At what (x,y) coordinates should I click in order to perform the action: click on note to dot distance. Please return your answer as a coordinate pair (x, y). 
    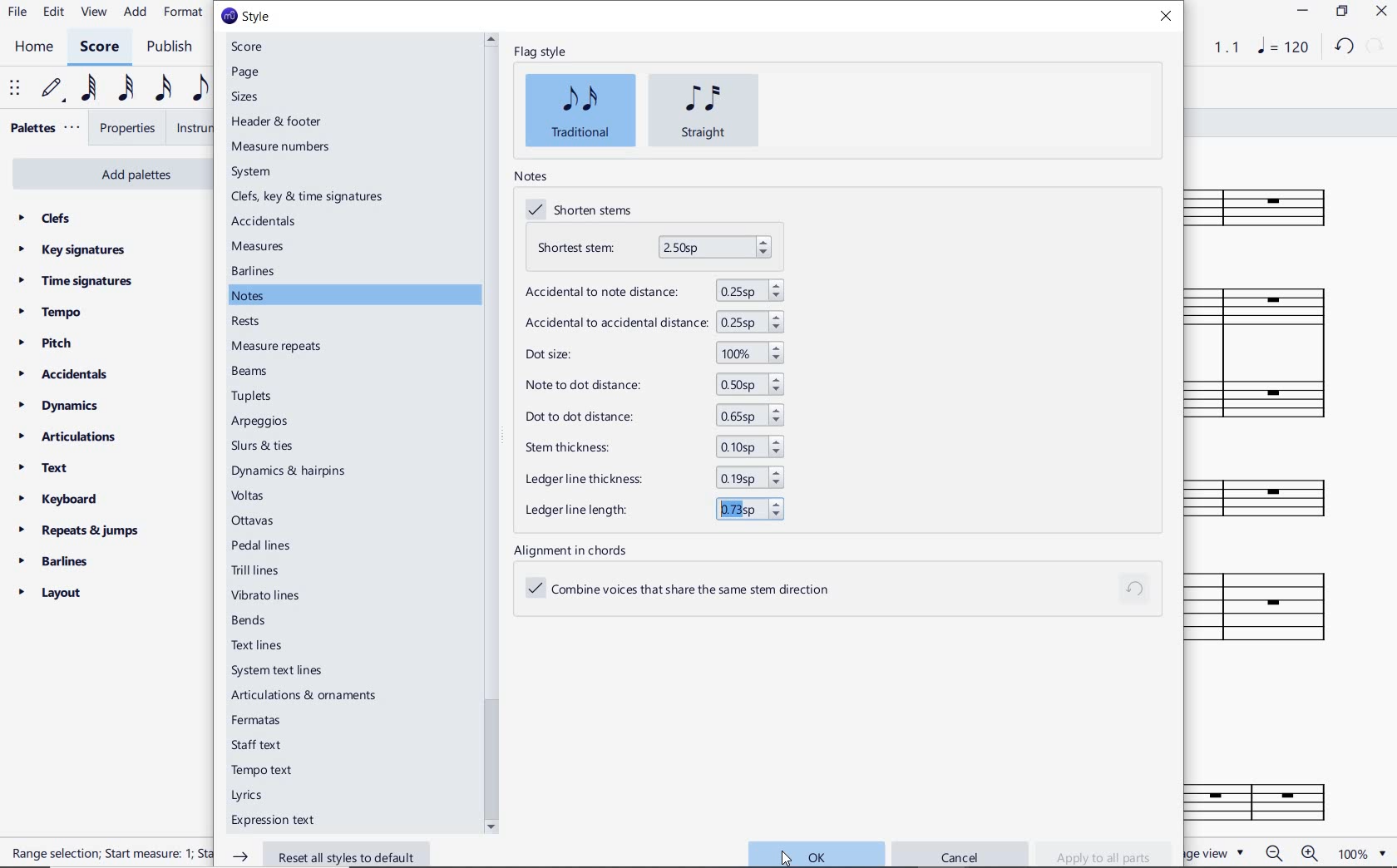
    Looking at the image, I should click on (650, 384).